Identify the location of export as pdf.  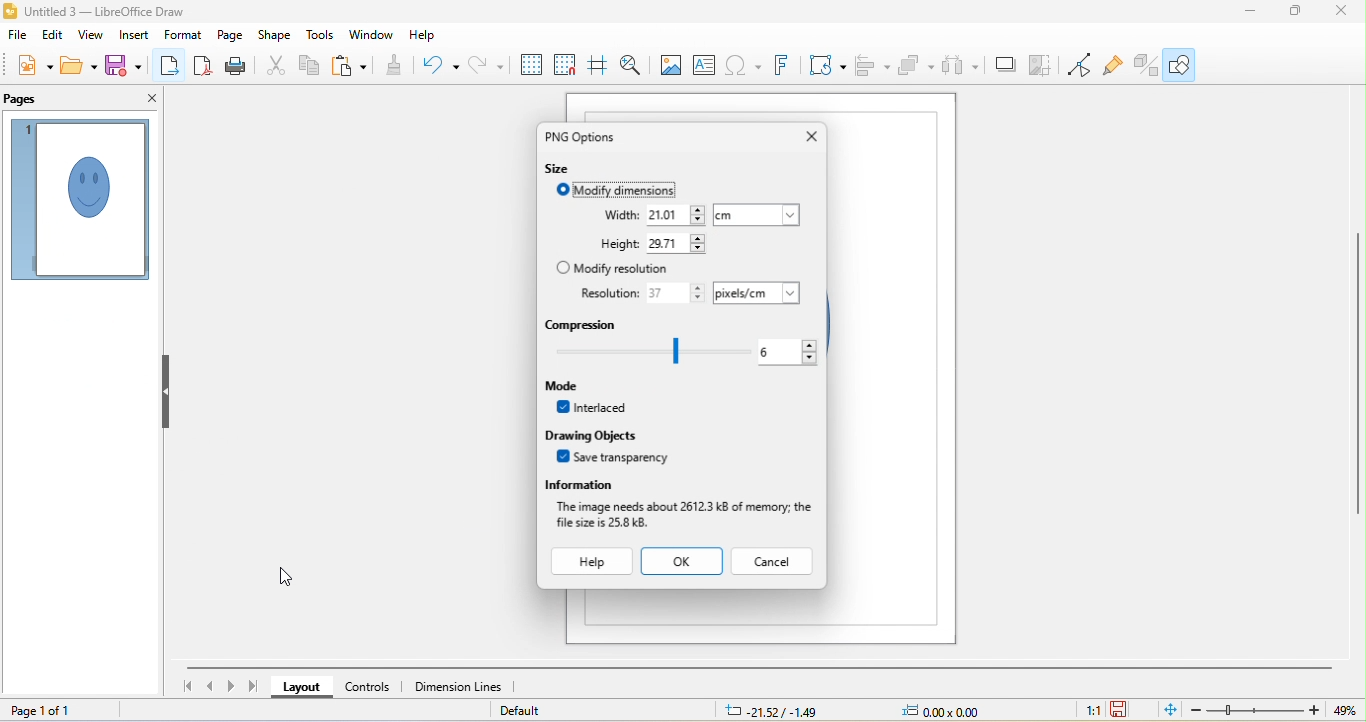
(204, 68).